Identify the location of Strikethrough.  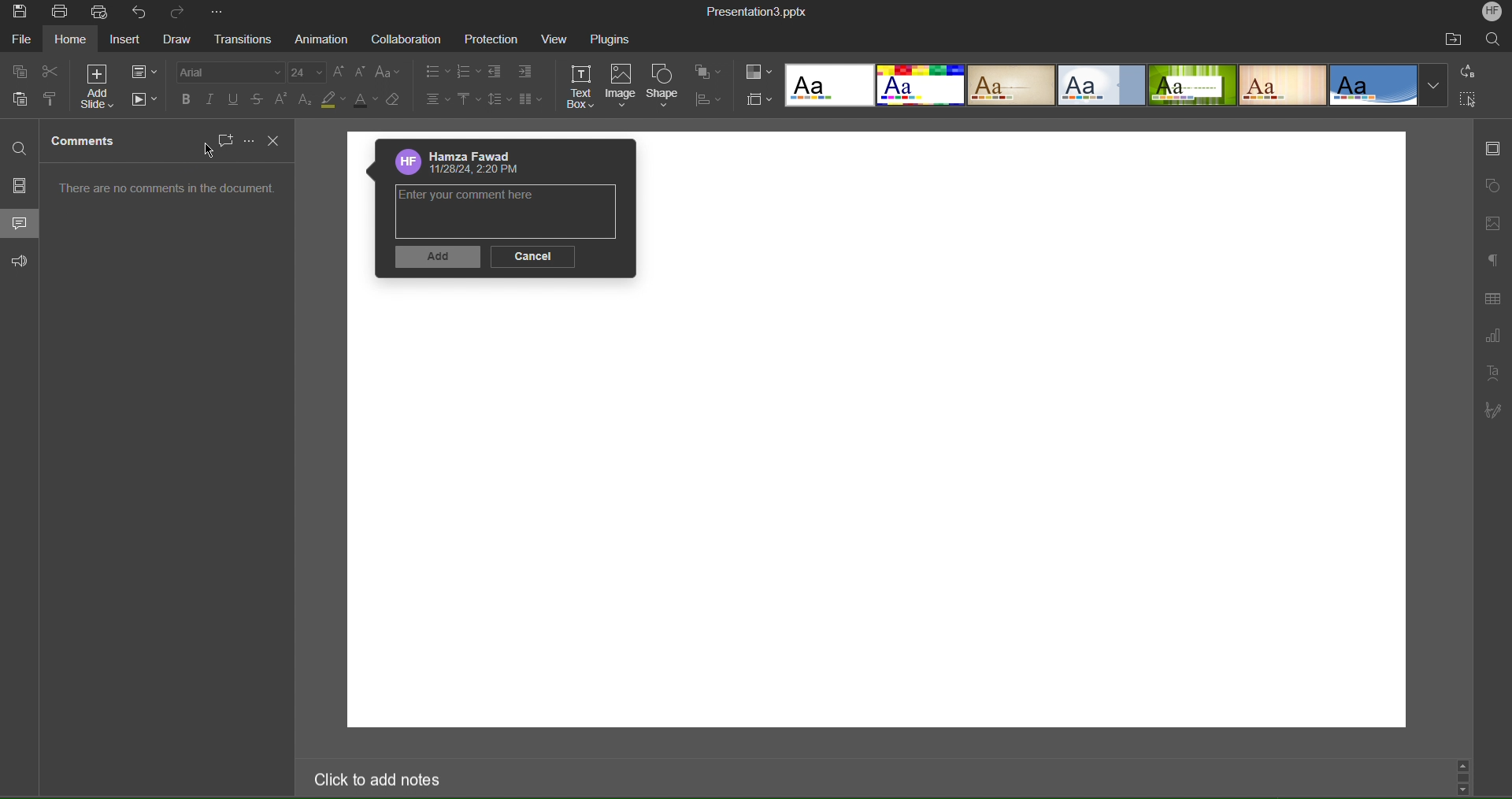
(258, 100).